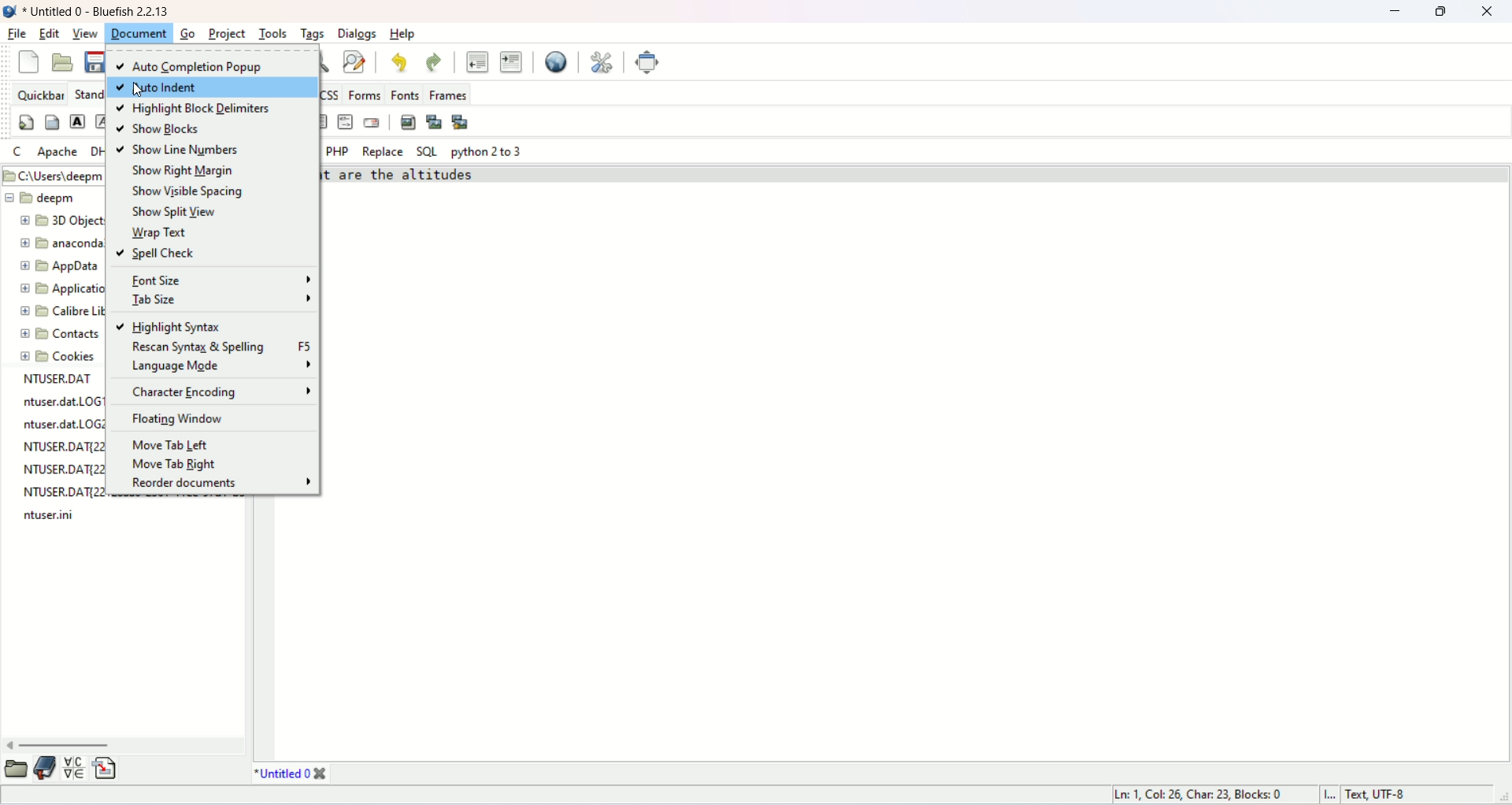  Describe the element at coordinates (140, 33) in the screenshot. I see `document` at that location.